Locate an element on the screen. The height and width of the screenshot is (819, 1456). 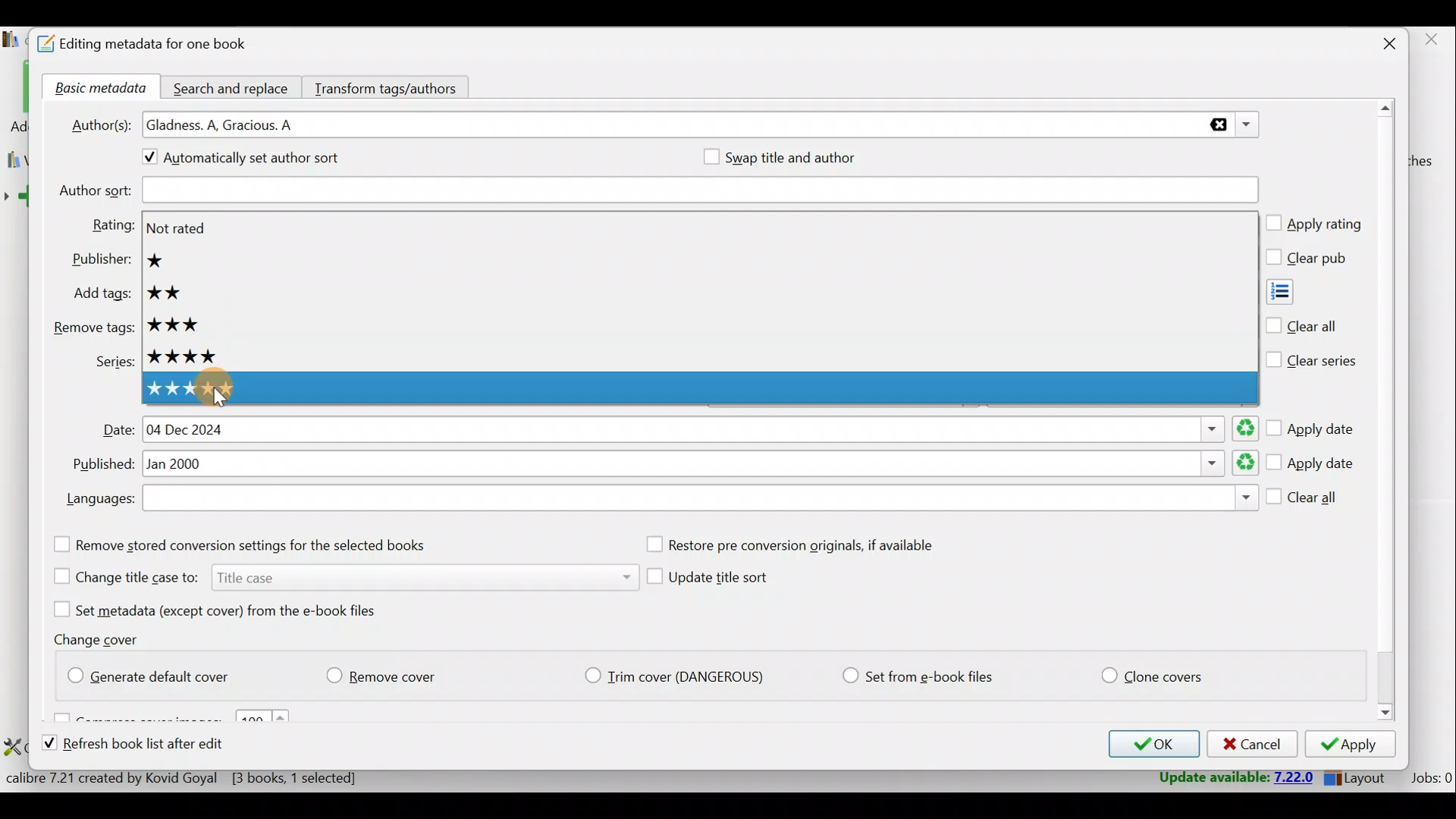
Statistics is located at coordinates (210, 777).